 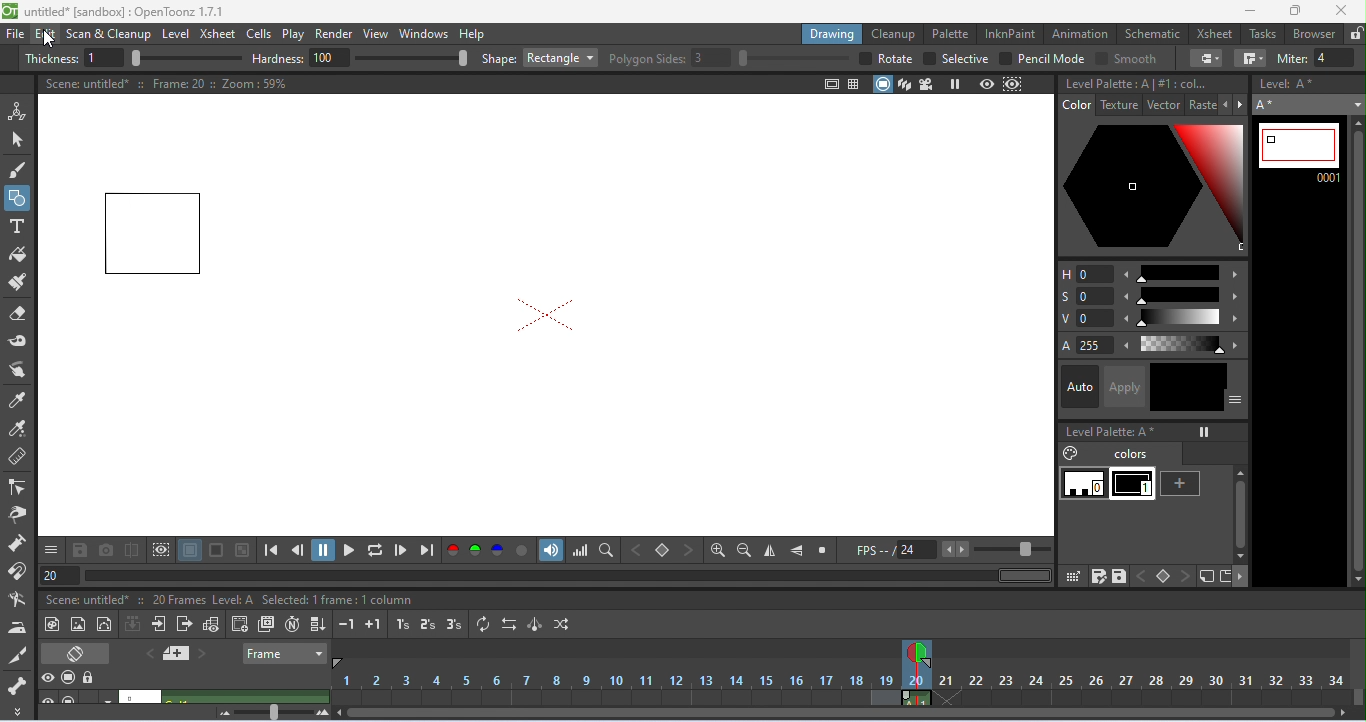 What do you see at coordinates (1019, 575) in the screenshot?
I see `horizontal scroll bar` at bounding box center [1019, 575].